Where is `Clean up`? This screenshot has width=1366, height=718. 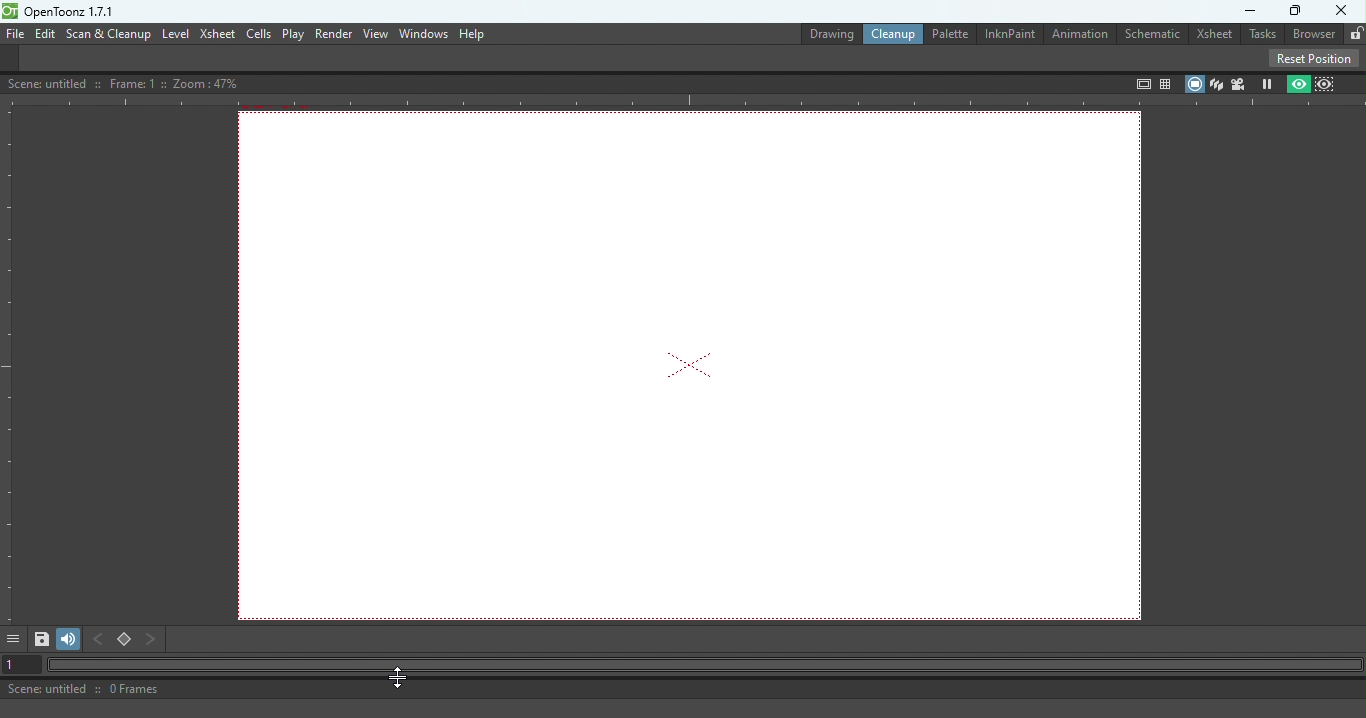
Clean up is located at coordinates (890, 34).